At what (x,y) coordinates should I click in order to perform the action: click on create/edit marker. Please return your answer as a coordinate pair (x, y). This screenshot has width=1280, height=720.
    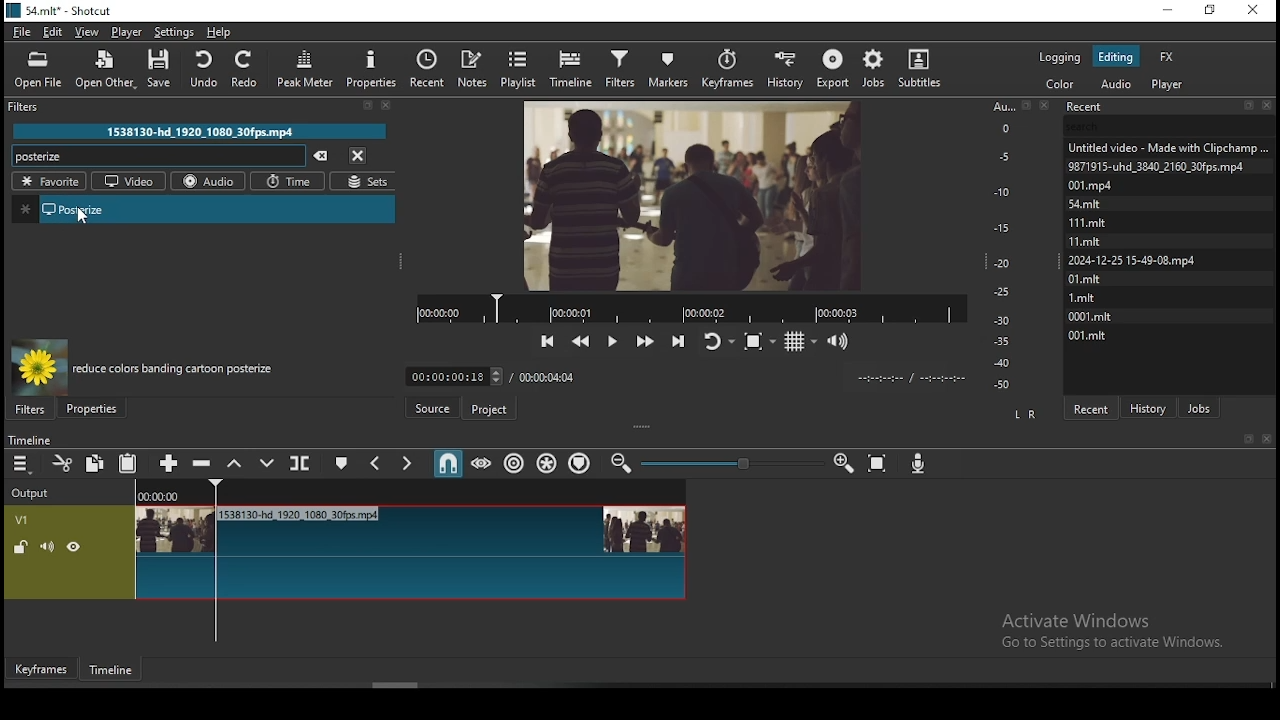
    Looking at the image, I should click on (342, 461).